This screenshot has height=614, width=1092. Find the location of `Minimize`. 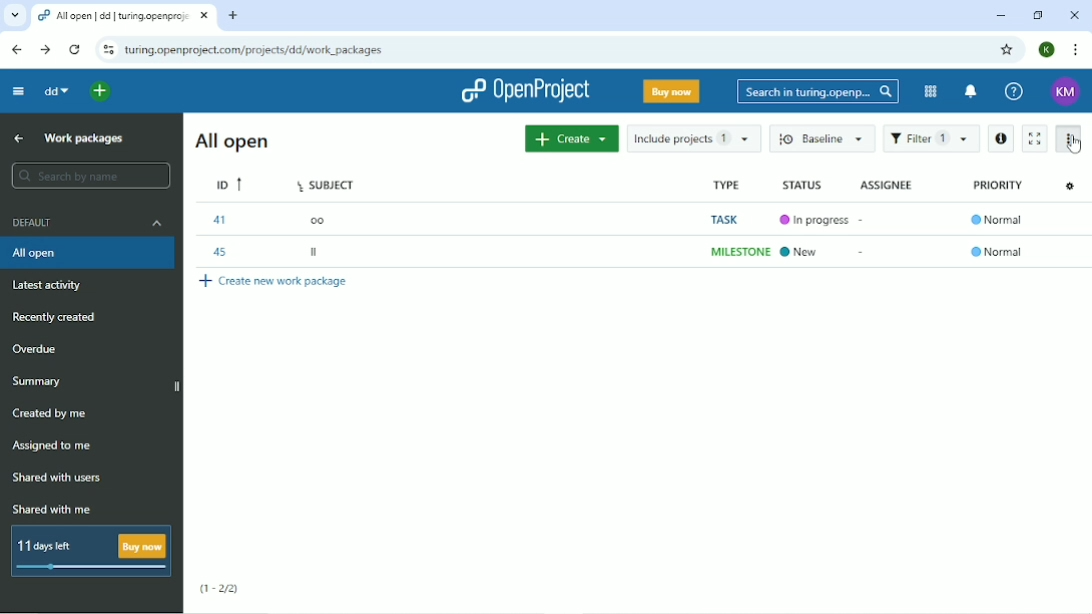

Minimize is located at coordinates (1001, 16).